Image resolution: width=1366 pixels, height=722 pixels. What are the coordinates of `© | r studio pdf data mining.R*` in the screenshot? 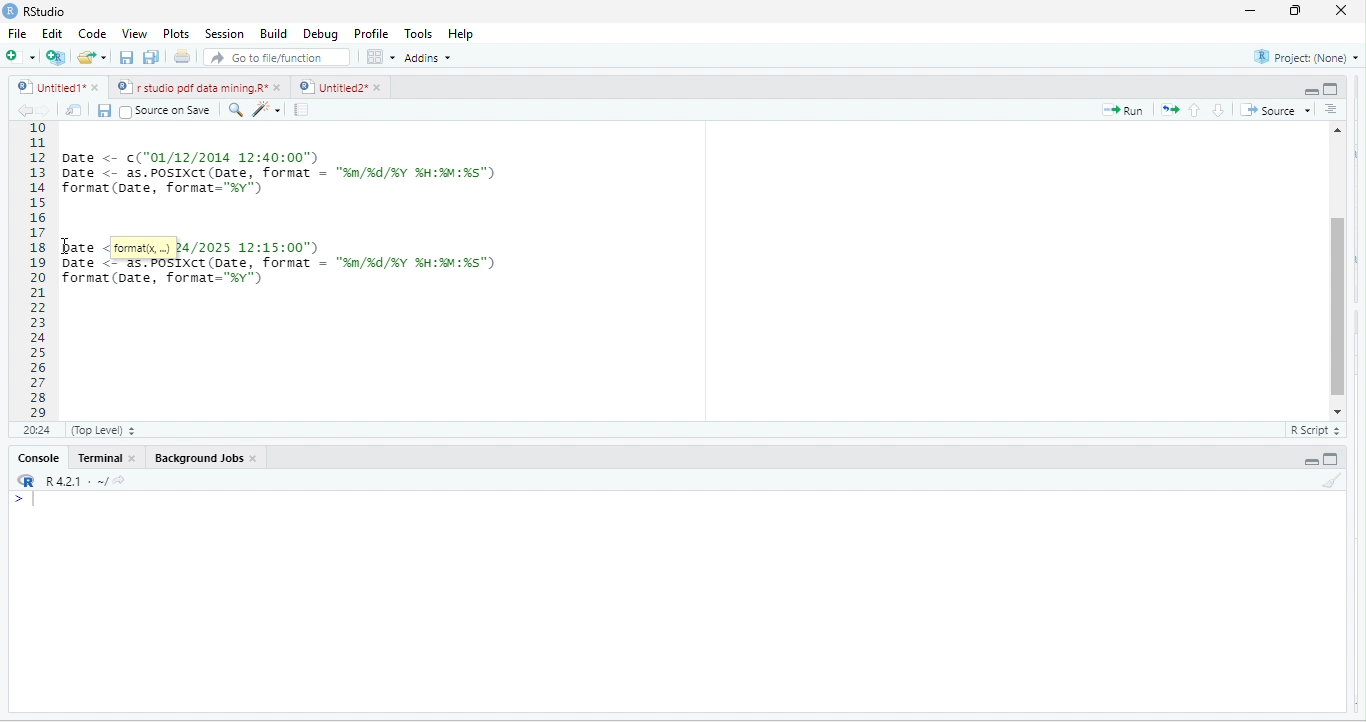 It's located at (193, 88).